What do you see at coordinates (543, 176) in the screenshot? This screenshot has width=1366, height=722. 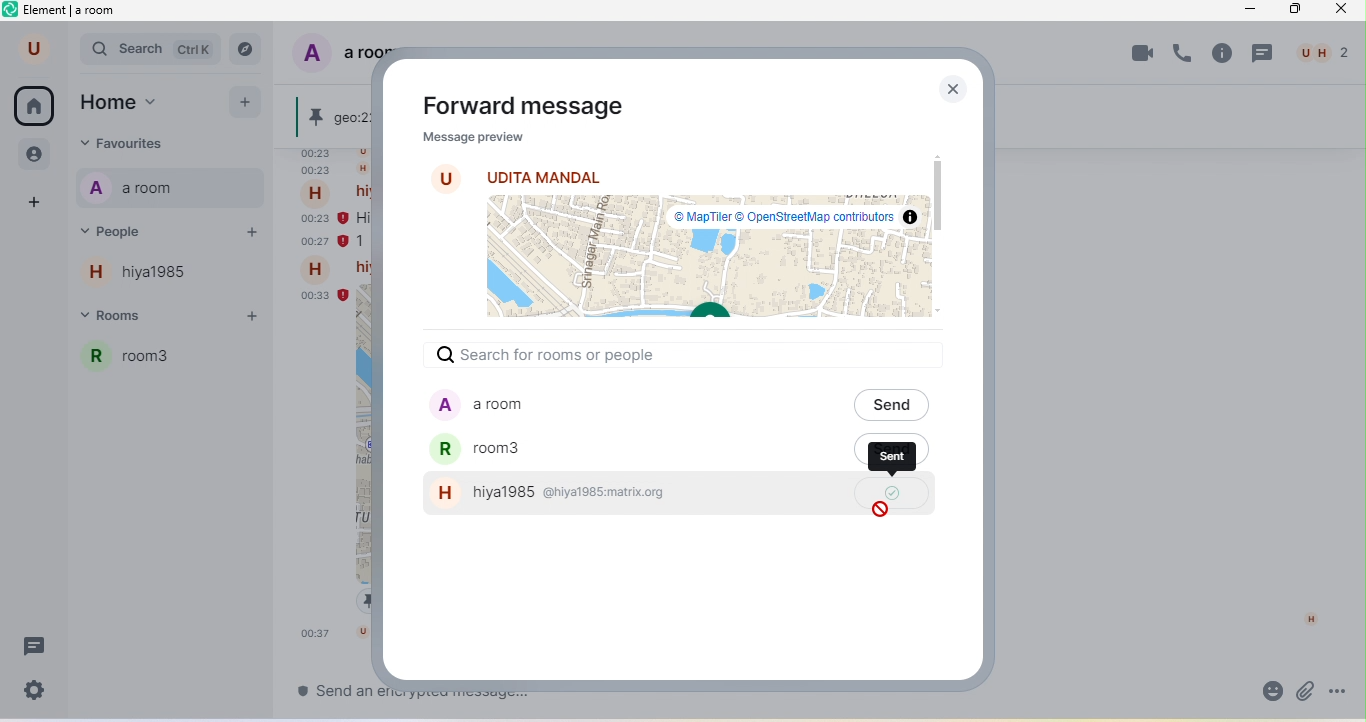 I see `udita mandal` at bounding box center [543, 176].